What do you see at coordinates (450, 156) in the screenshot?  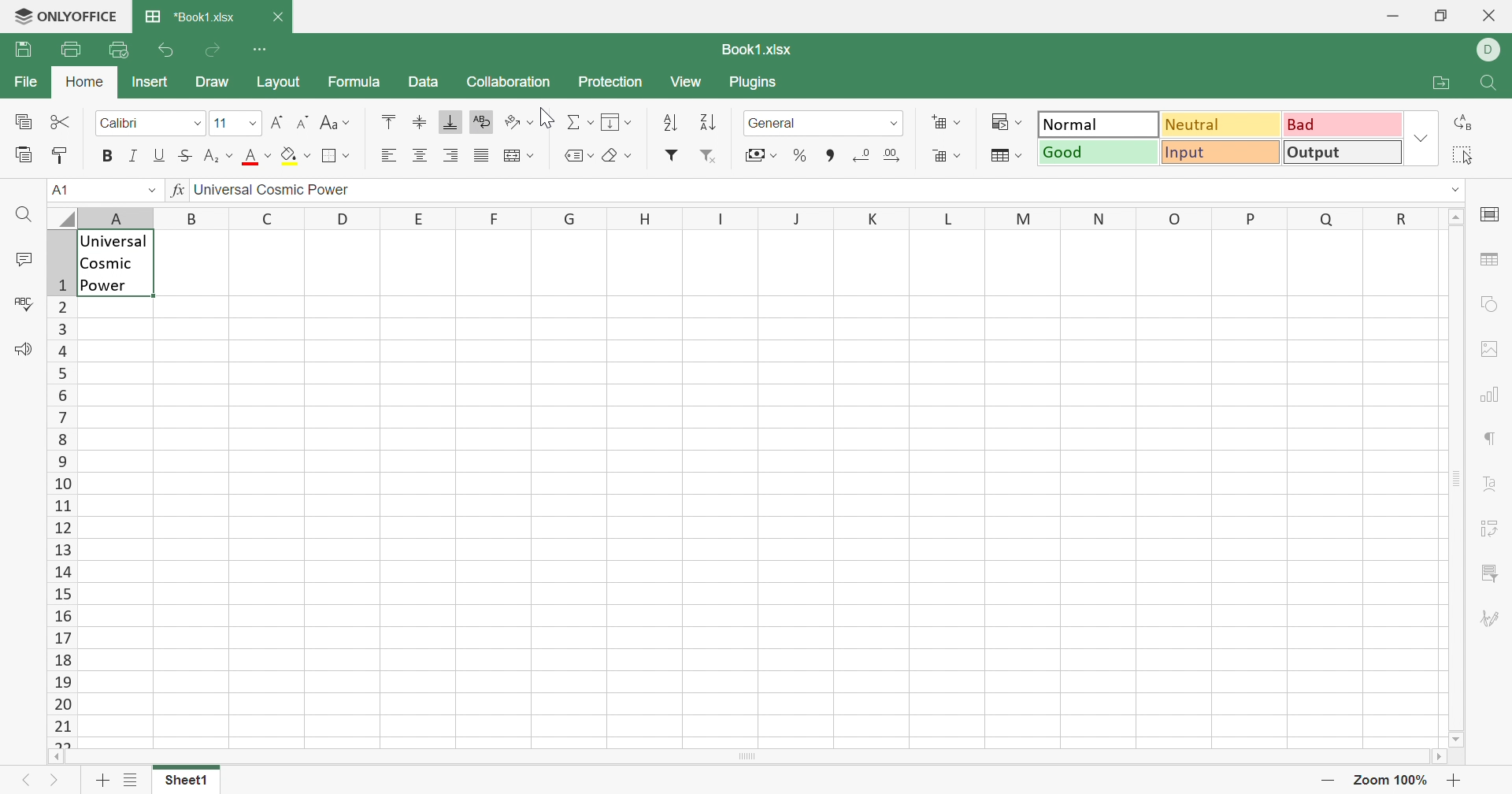 I see `Align Right` at bounding box center [450, 156].